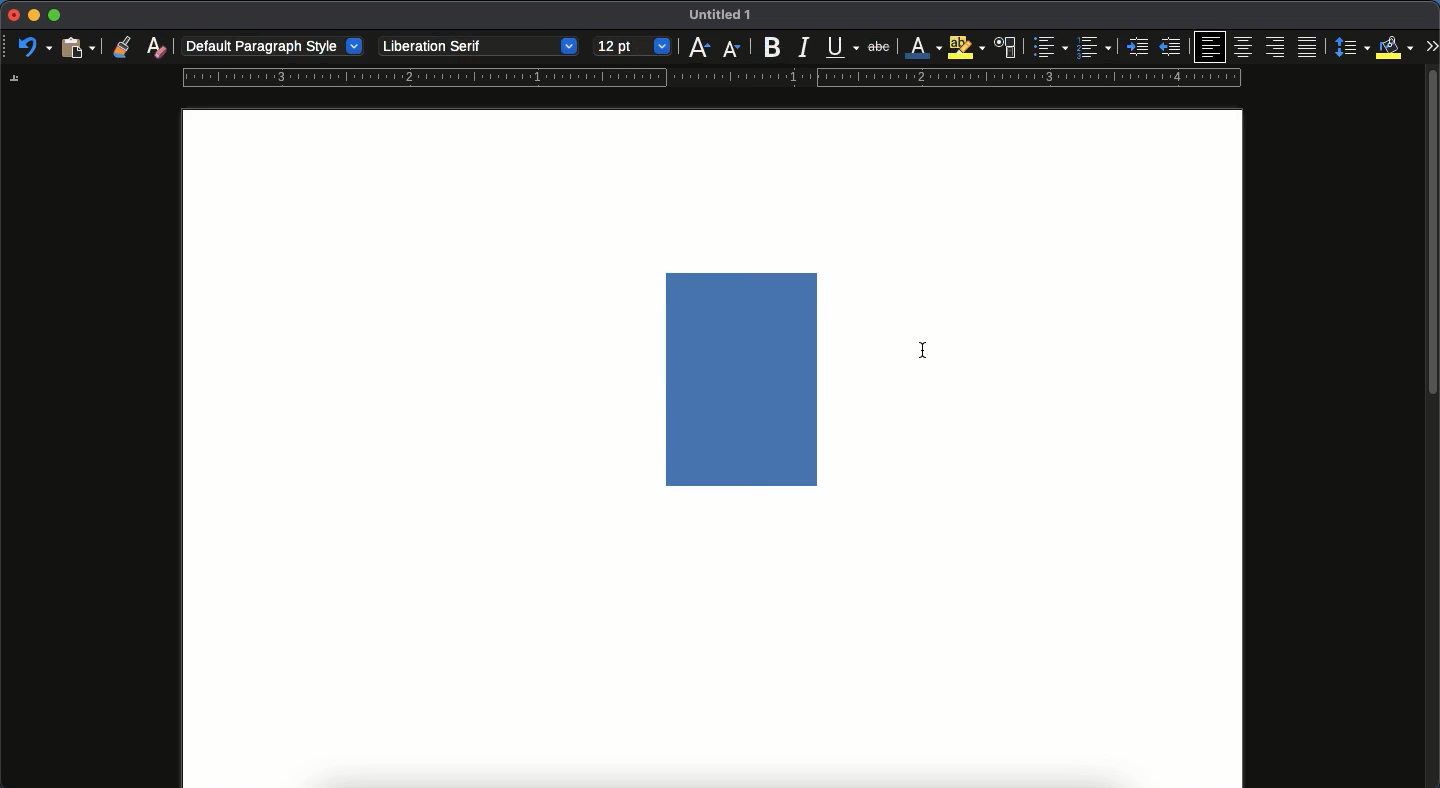 Image resolution: width=1440 pixels, height=788 pixels. I want to click on decrease size, so click(731, 47).